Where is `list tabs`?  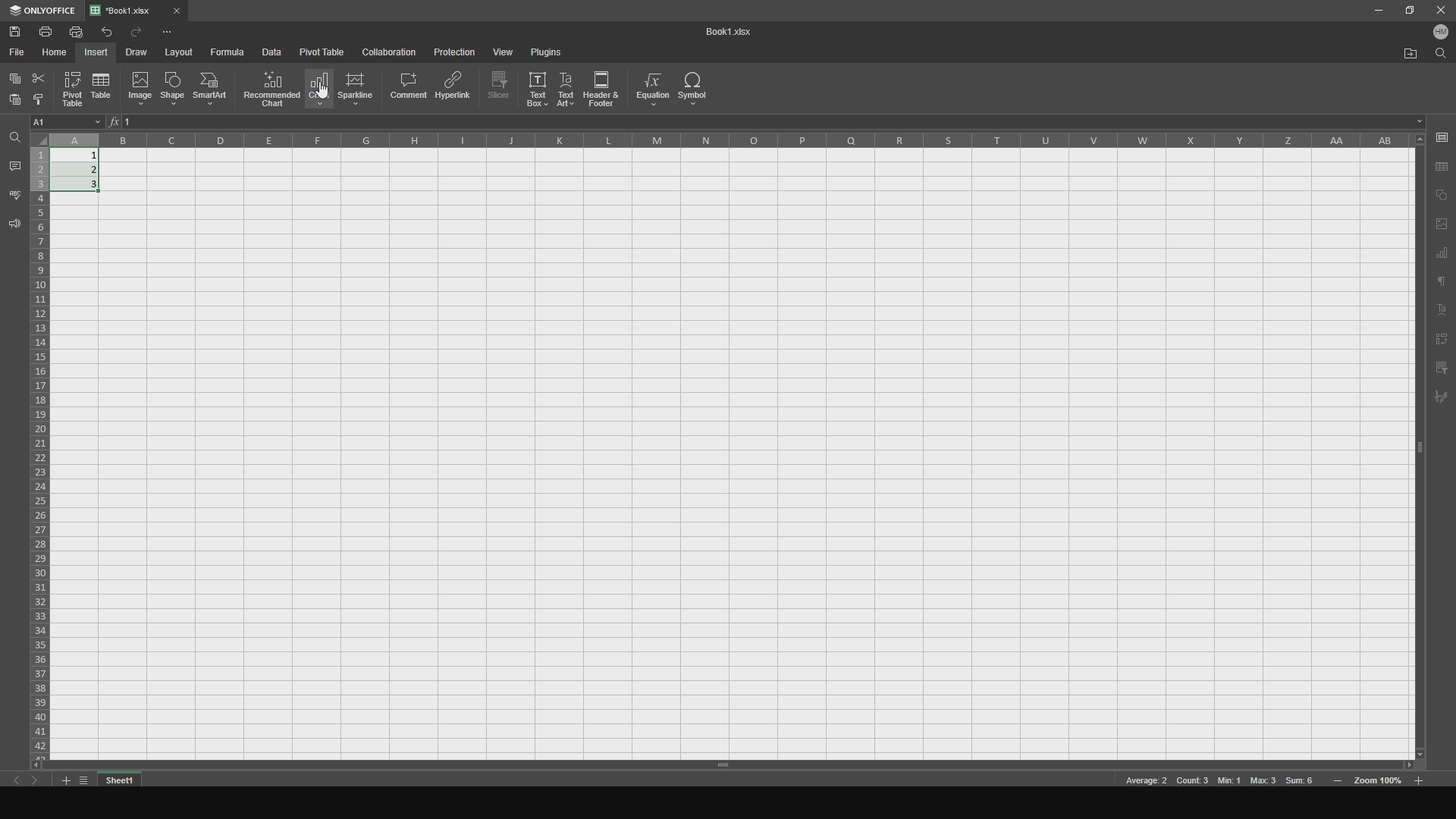
list tabs is located at coordinates (86, 780).